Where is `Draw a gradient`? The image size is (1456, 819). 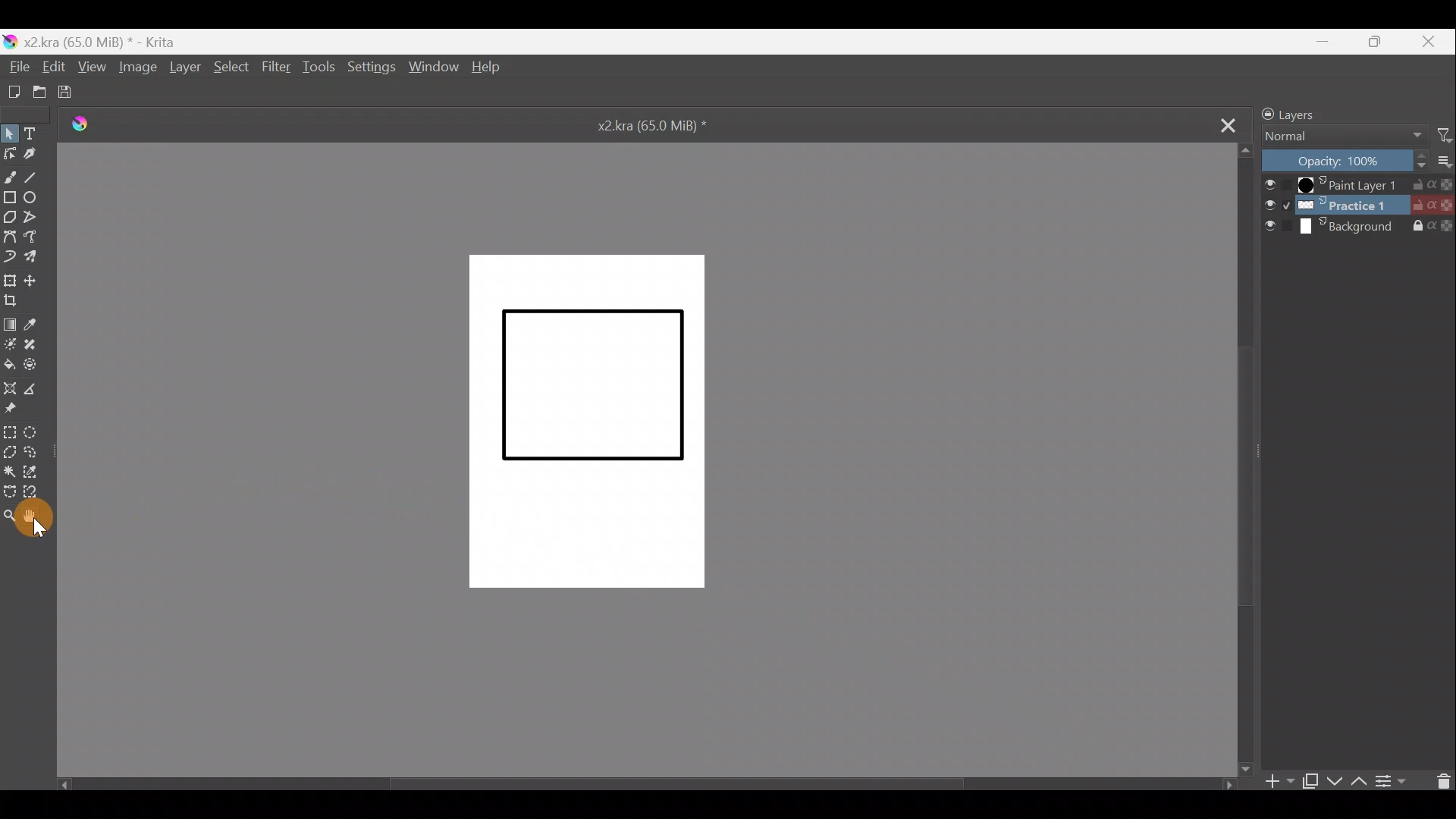 Draw a gradient is located at coordinates (11, 323).